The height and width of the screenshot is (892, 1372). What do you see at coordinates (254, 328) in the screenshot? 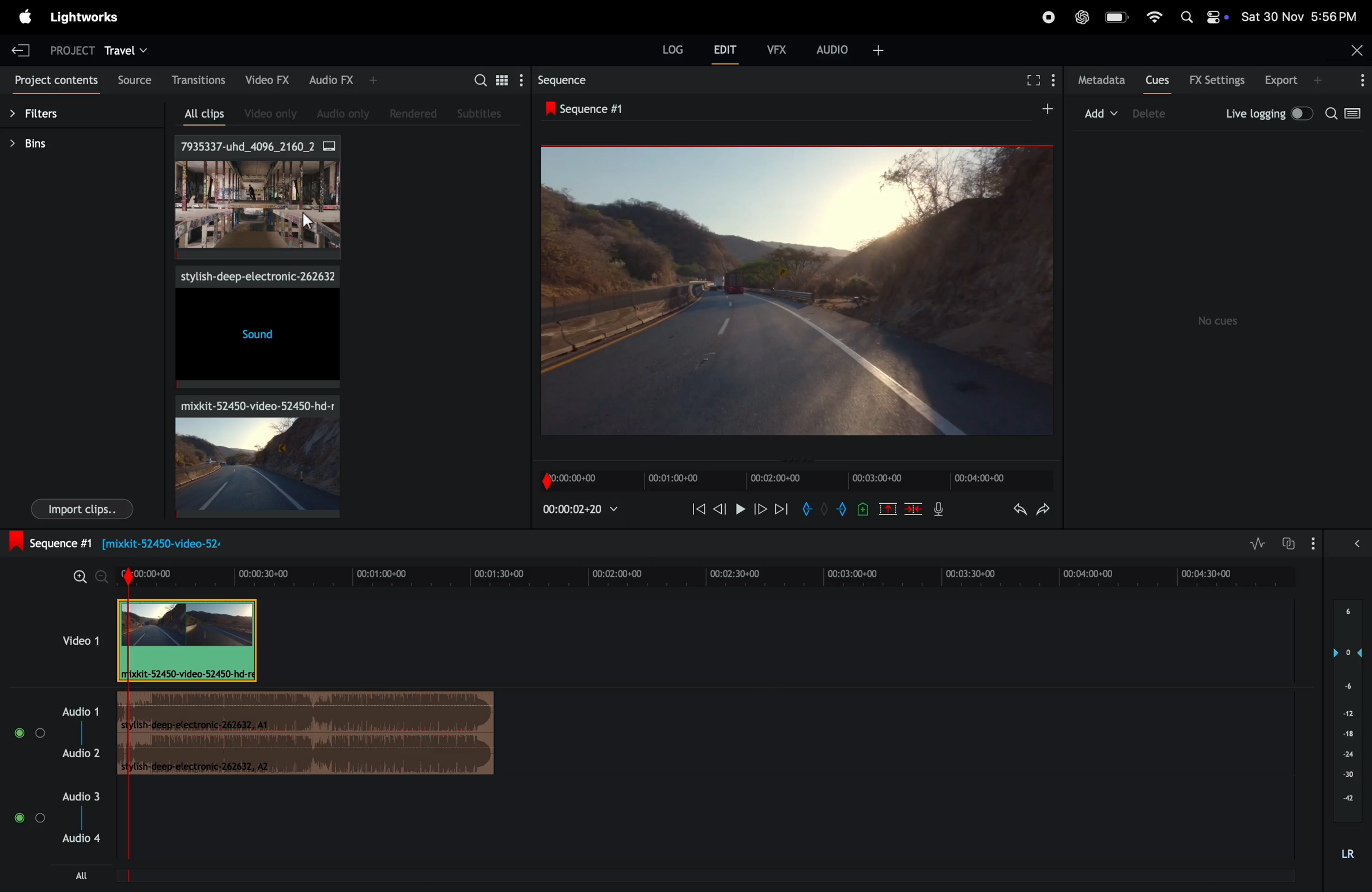
I see `sound effects` at bounding box center [254, 328].